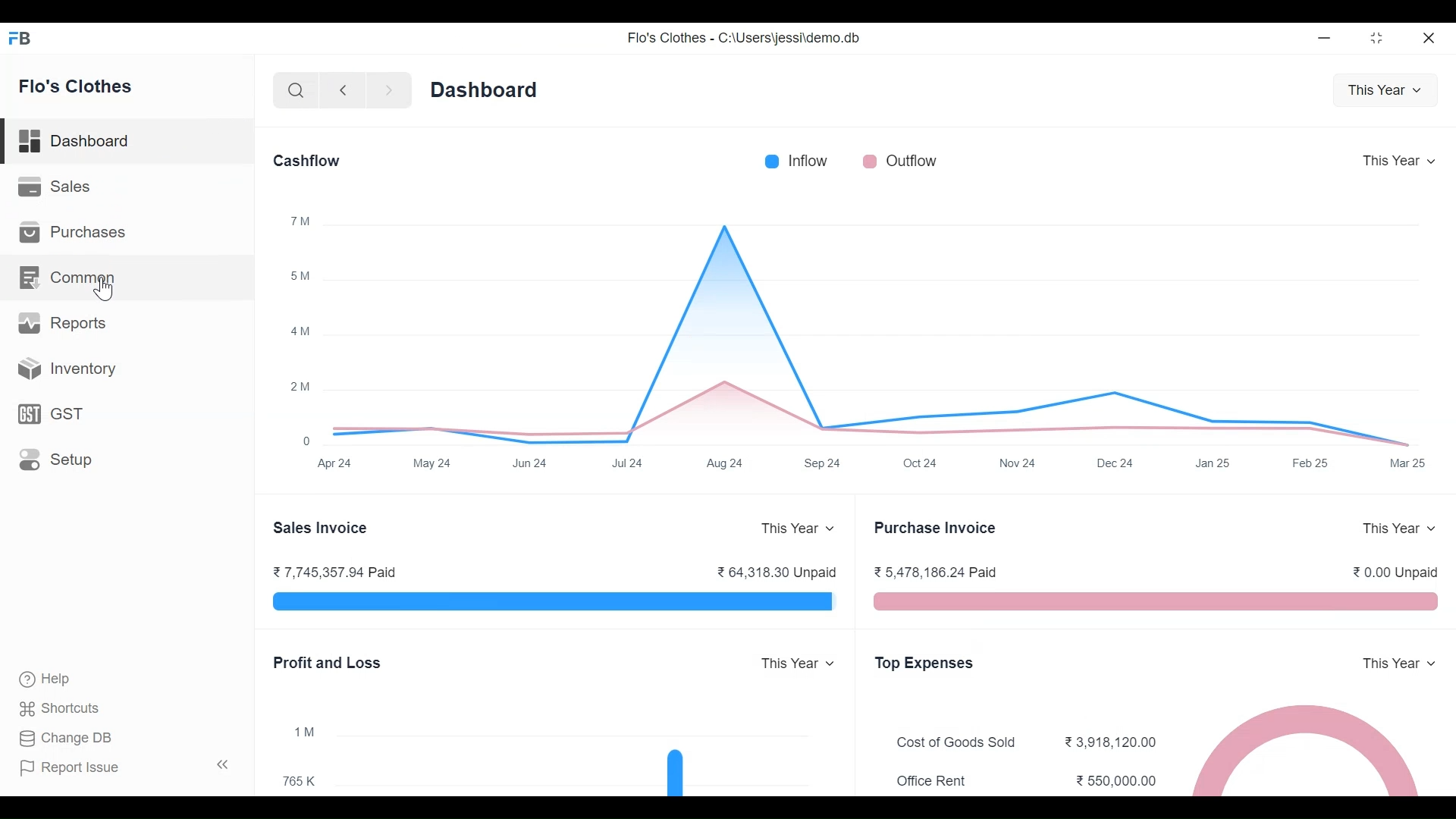 Image resolution: width=1456 pixels, height=819 pixels. What do you see at coordinates (913, 162) in the screenshot?
I see `Outflow` at bounding box center [913, 162].